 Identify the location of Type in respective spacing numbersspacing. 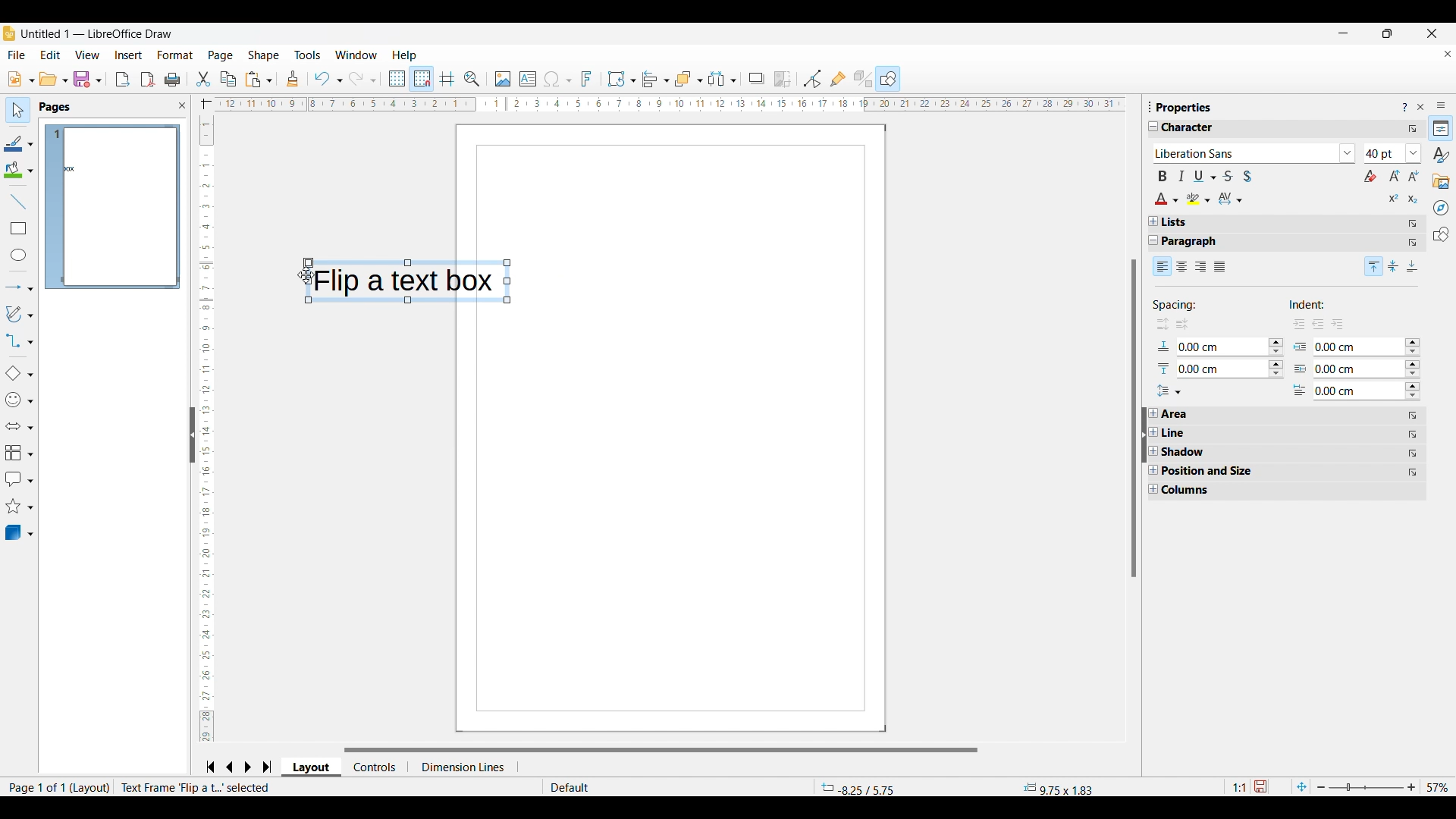
(1209, 369).